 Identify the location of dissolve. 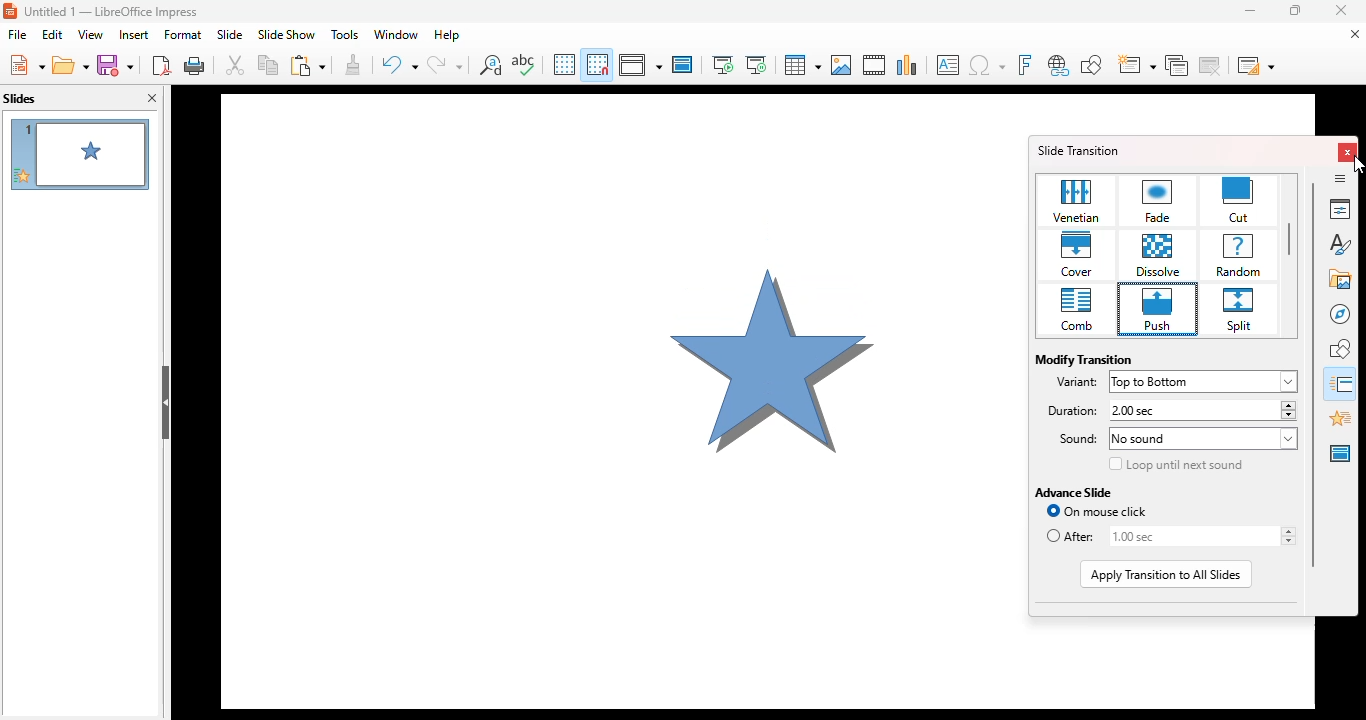
(1159, 256).